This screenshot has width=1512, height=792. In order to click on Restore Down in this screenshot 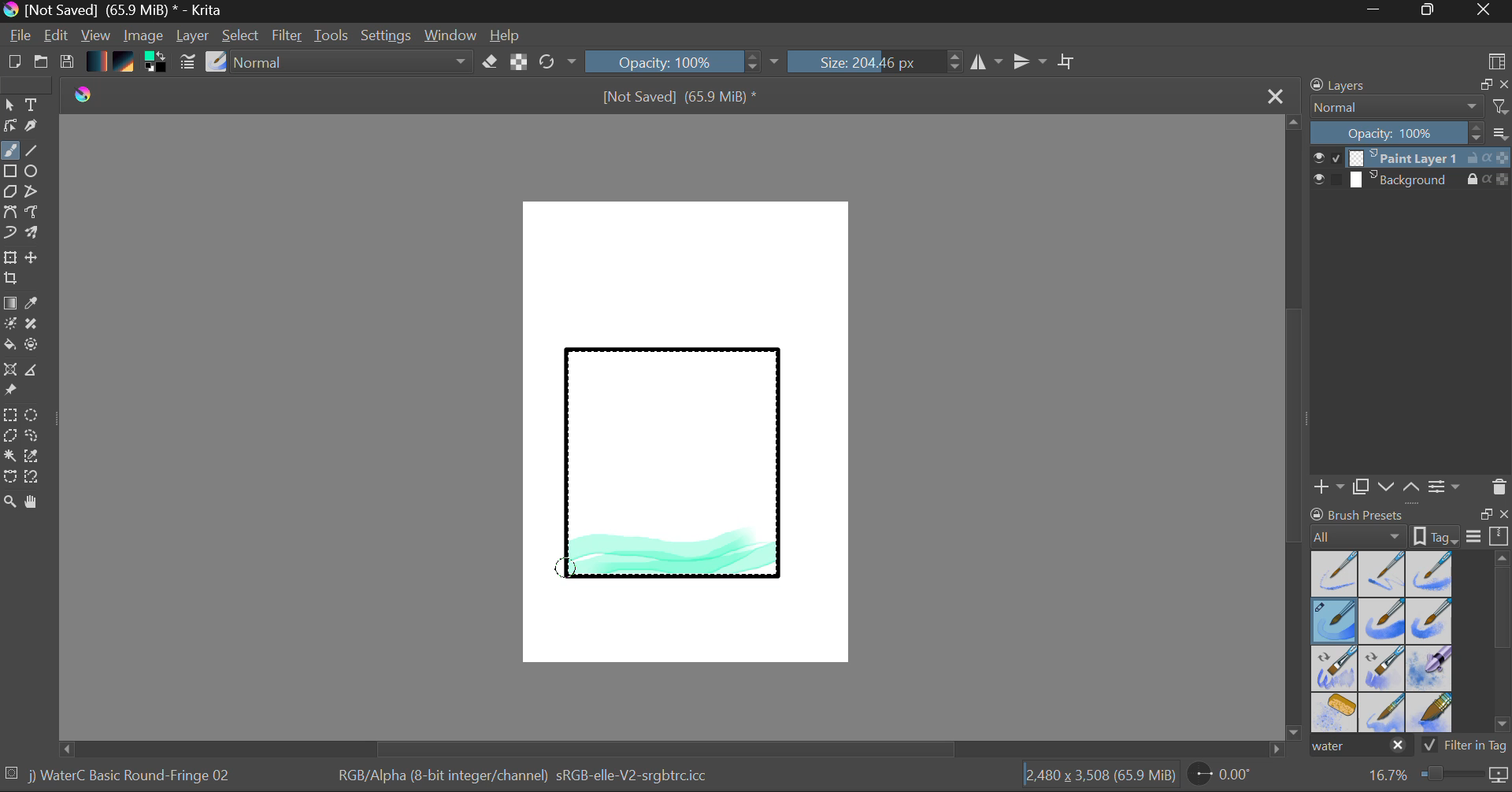, I will do `click(1379, 11)`.